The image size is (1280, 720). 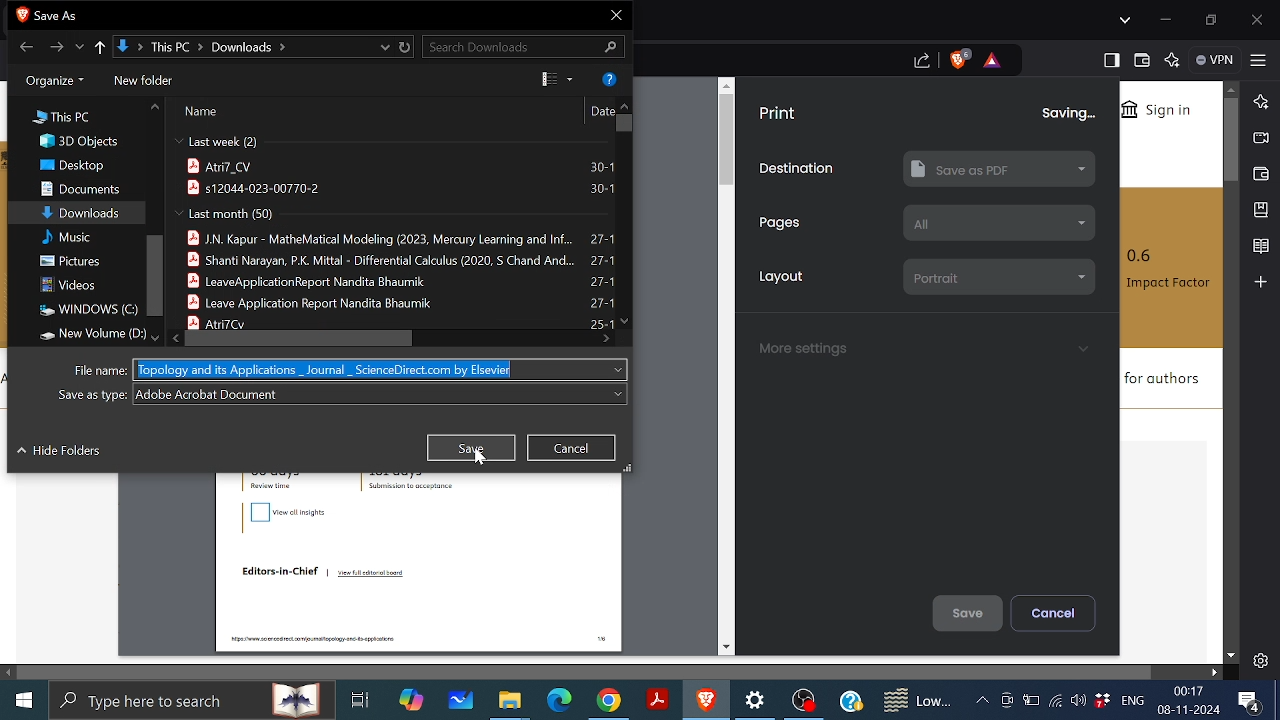 What do you see at coordinates (58, 46) in the screenshot?
I see `Forward` at bounding box center [58, 46].